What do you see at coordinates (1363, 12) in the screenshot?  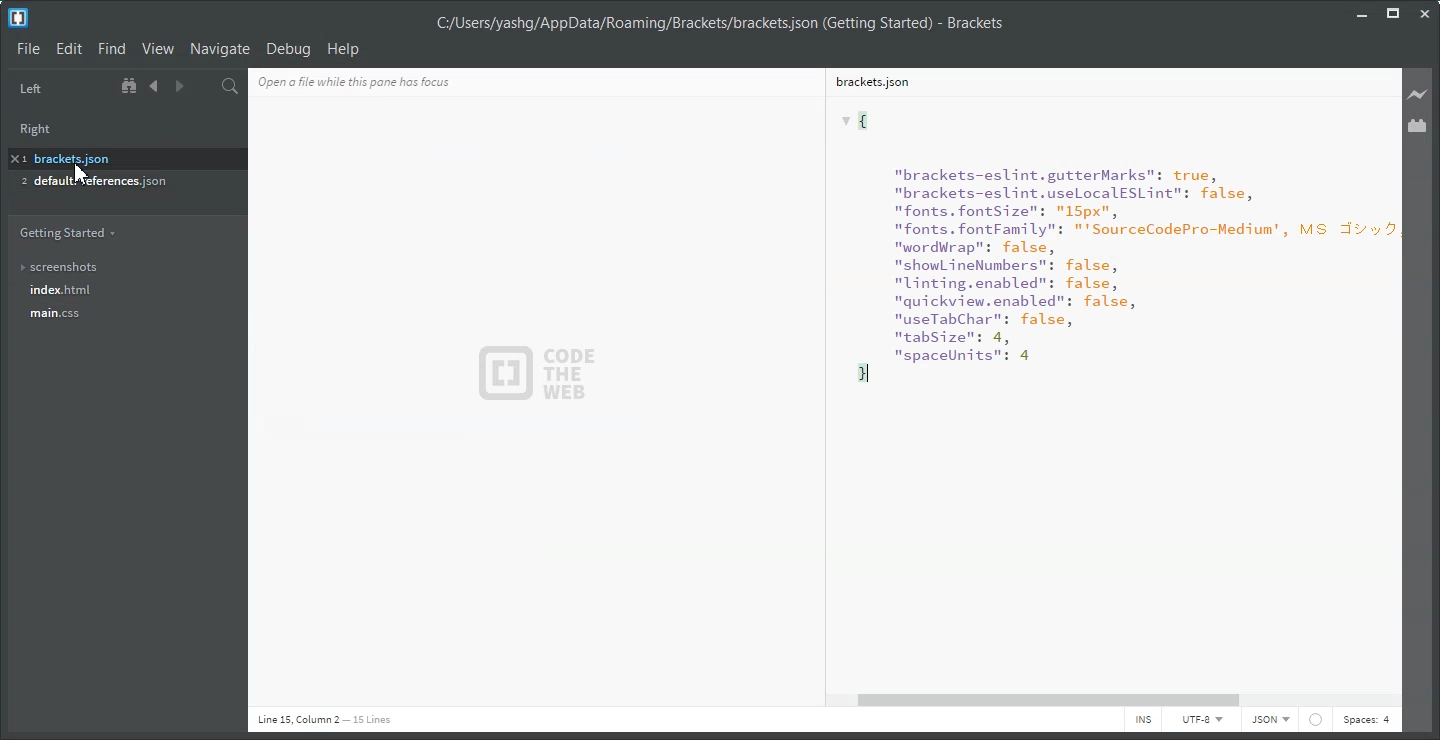 I see `Minimize` at bounding box center [1363, 12].